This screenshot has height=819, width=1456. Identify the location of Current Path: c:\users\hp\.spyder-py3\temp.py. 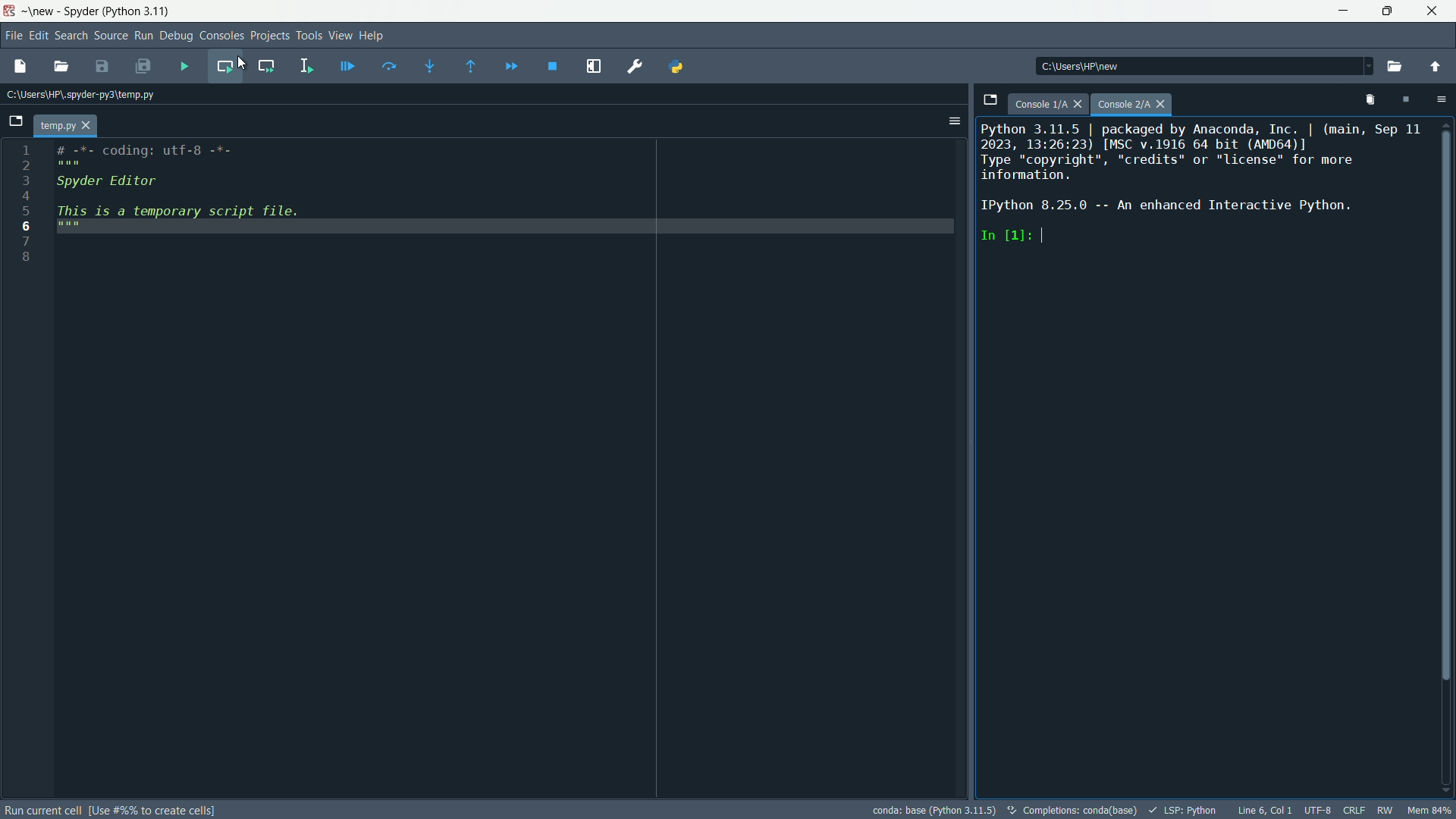
(85, 94).